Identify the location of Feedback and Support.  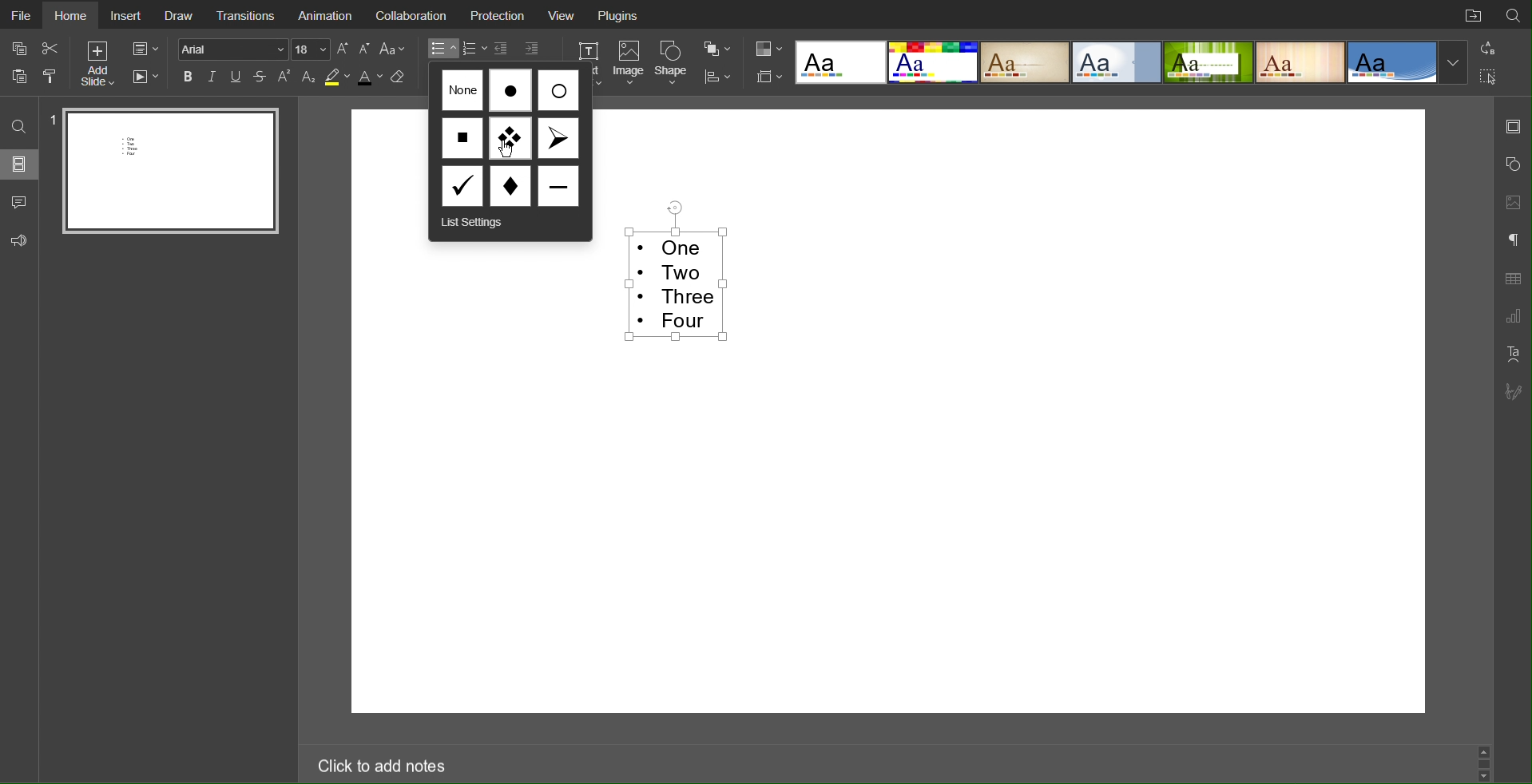
(20, 240).